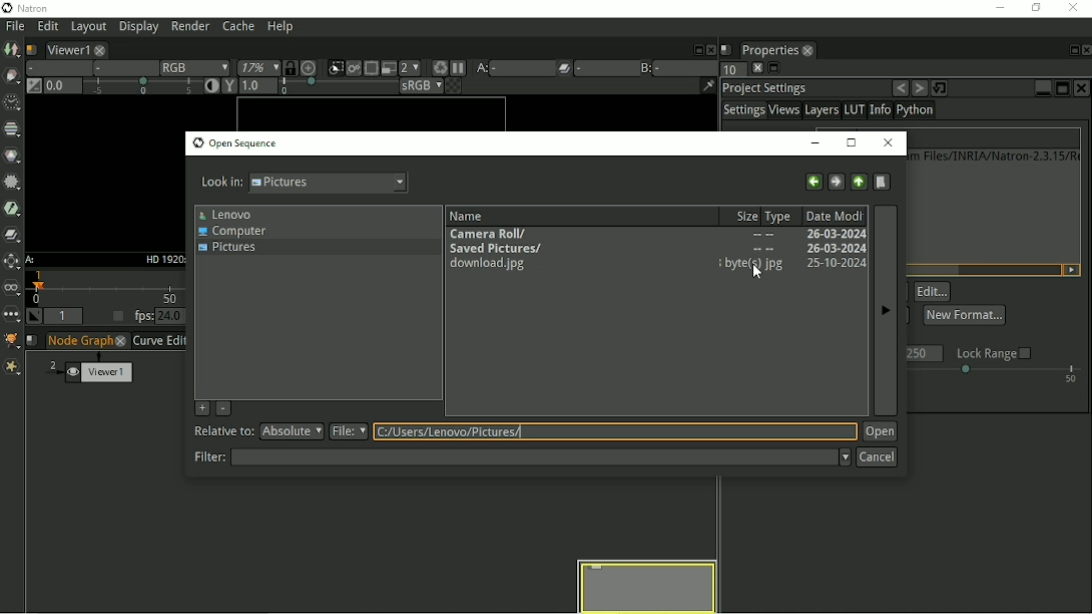  I want to click on Script name, so click(31, 48).